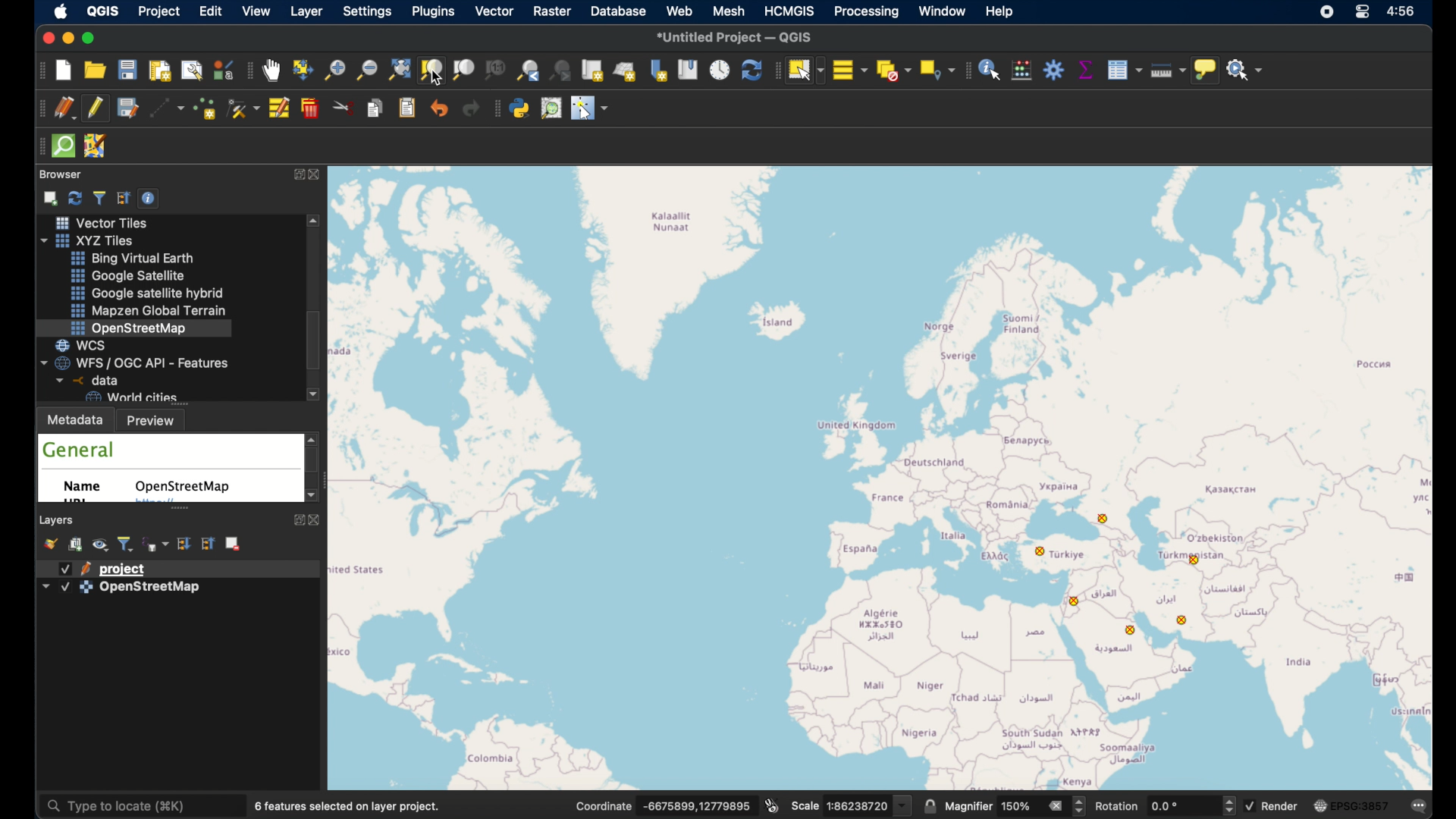 The image size is (1456, 819). What do you see at coordinates (1041, 551) in the screenshot?
I see `point feature` at bounding box center [1041, 551].